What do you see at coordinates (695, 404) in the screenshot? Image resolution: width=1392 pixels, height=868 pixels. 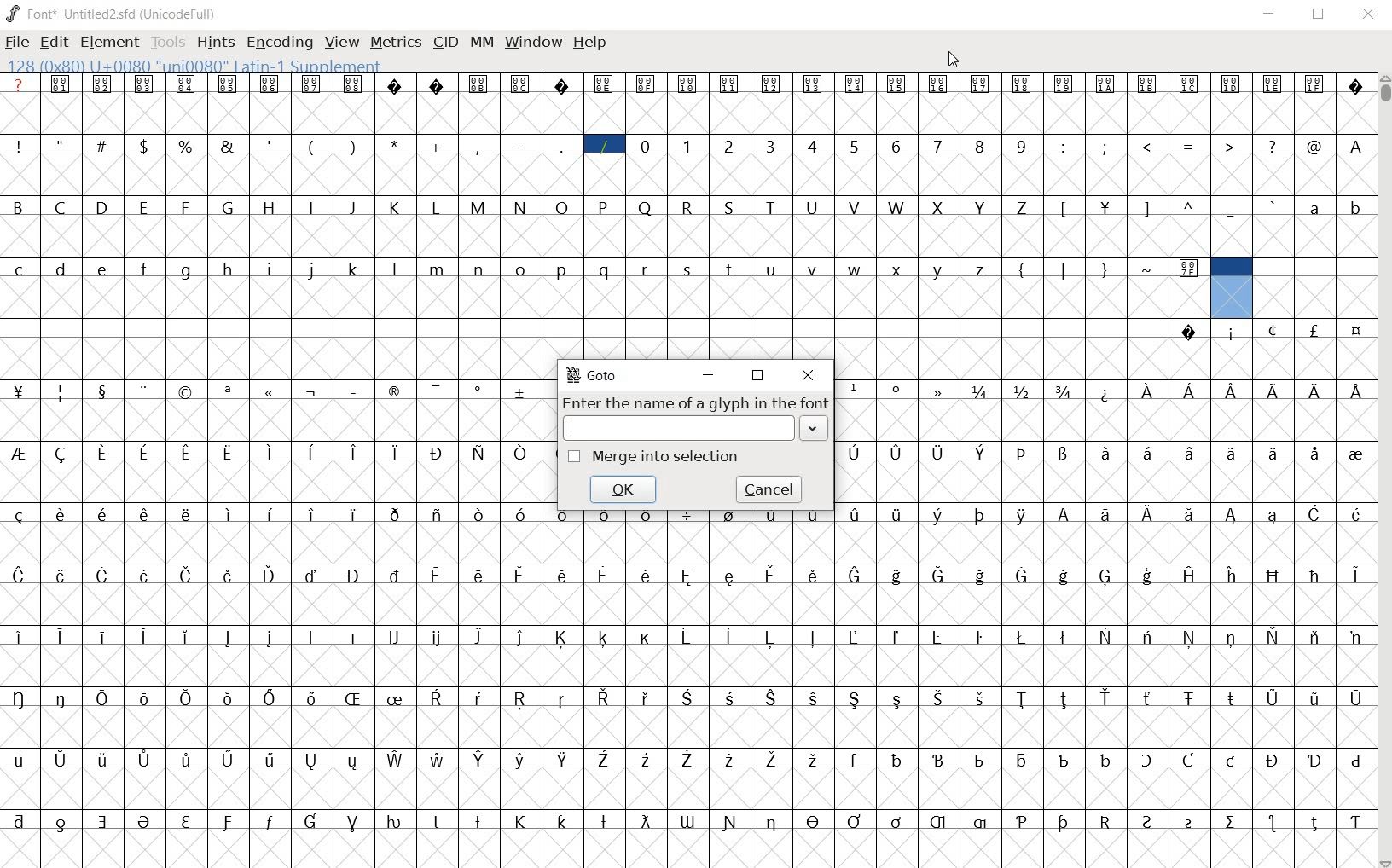 I see `Enter the name of a glyph in the font` at bounding box center [695, 404].